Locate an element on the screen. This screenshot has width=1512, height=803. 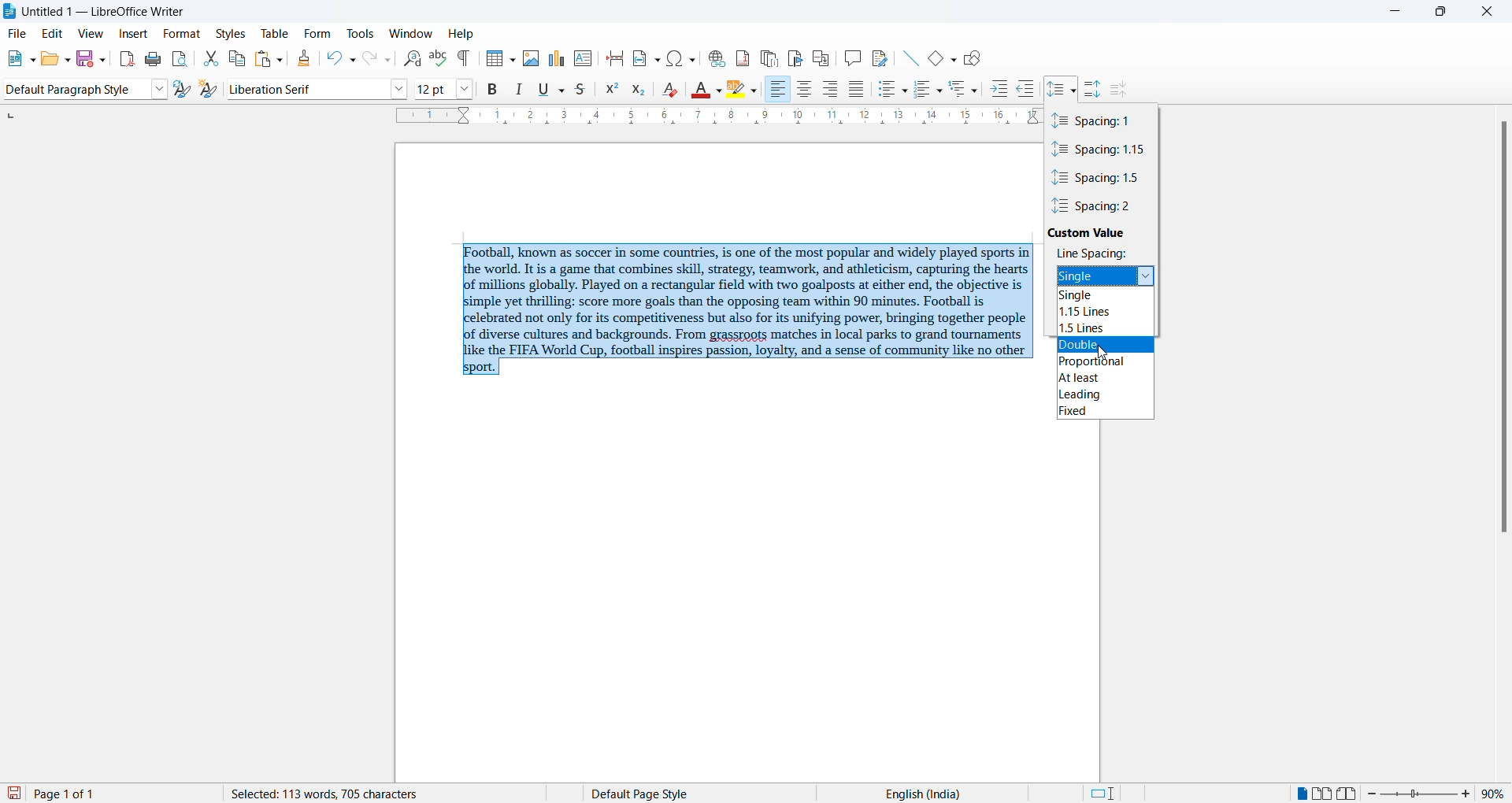
text align center is located at coordinates (831, 90).